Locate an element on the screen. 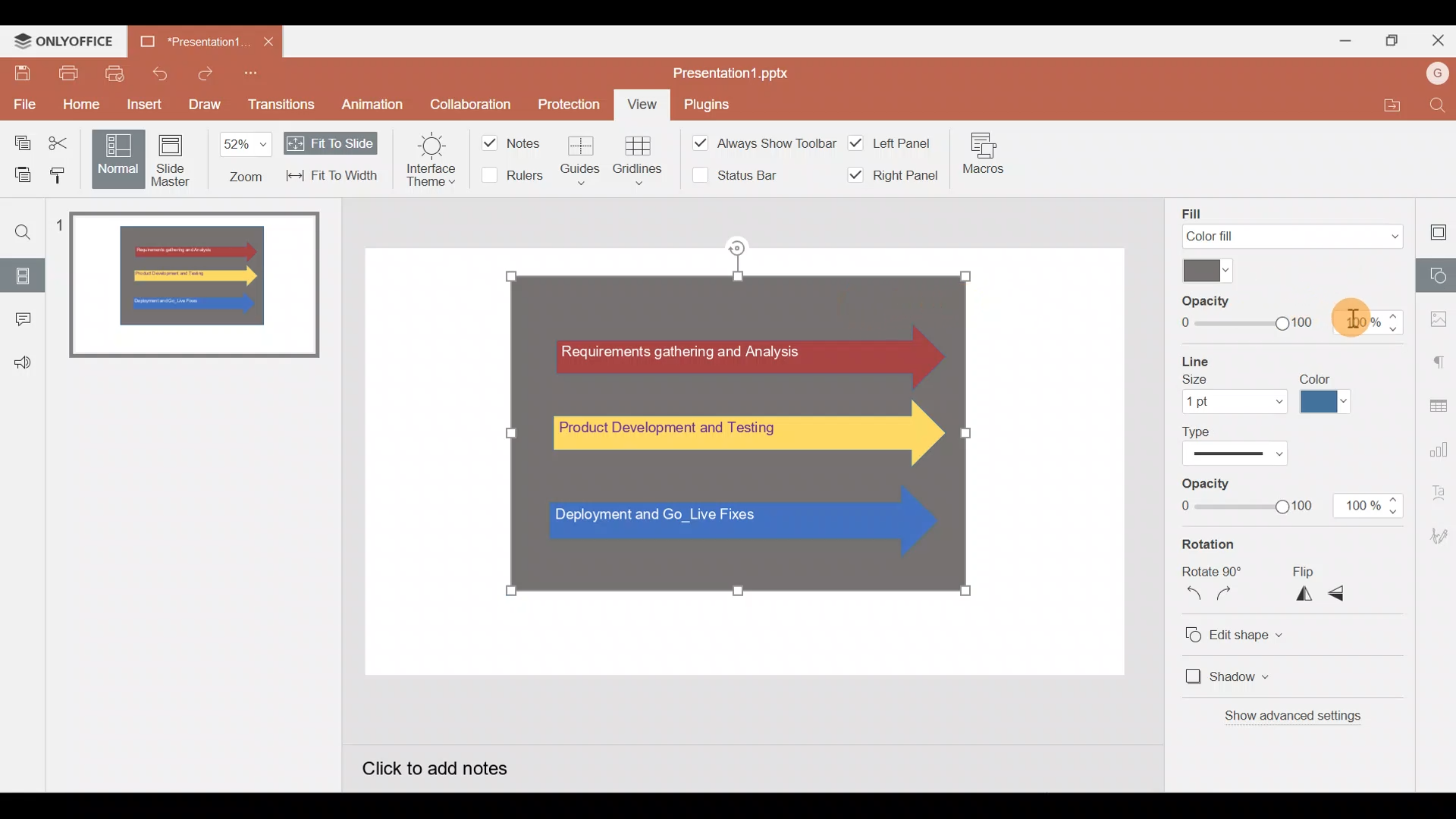 The image size is (1456, 819). Undo is located at coordinates (162, 72).